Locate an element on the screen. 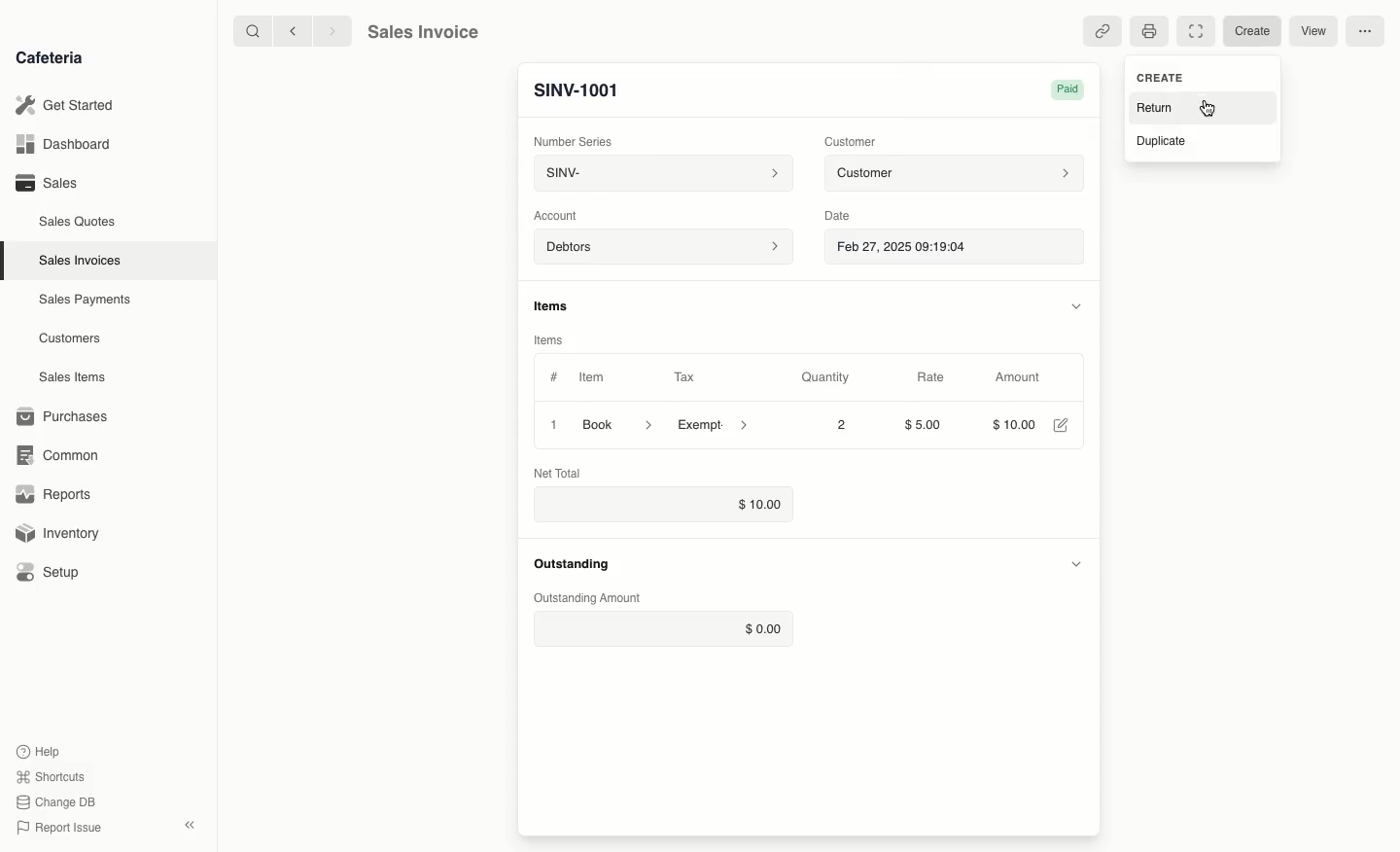 This screenshot has width=1400, height=852. Cafeteria is located at coordinates (49, 58).